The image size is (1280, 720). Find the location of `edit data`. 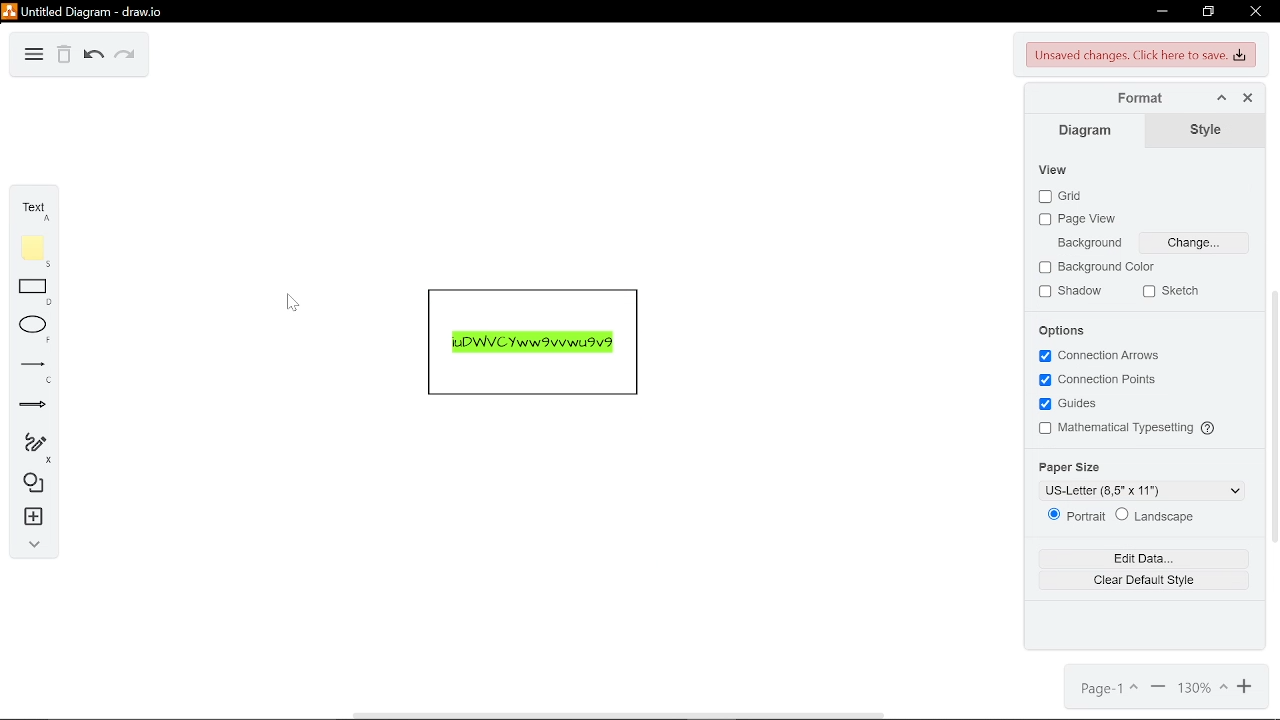

edit data is located at coordinates (1143, 579).